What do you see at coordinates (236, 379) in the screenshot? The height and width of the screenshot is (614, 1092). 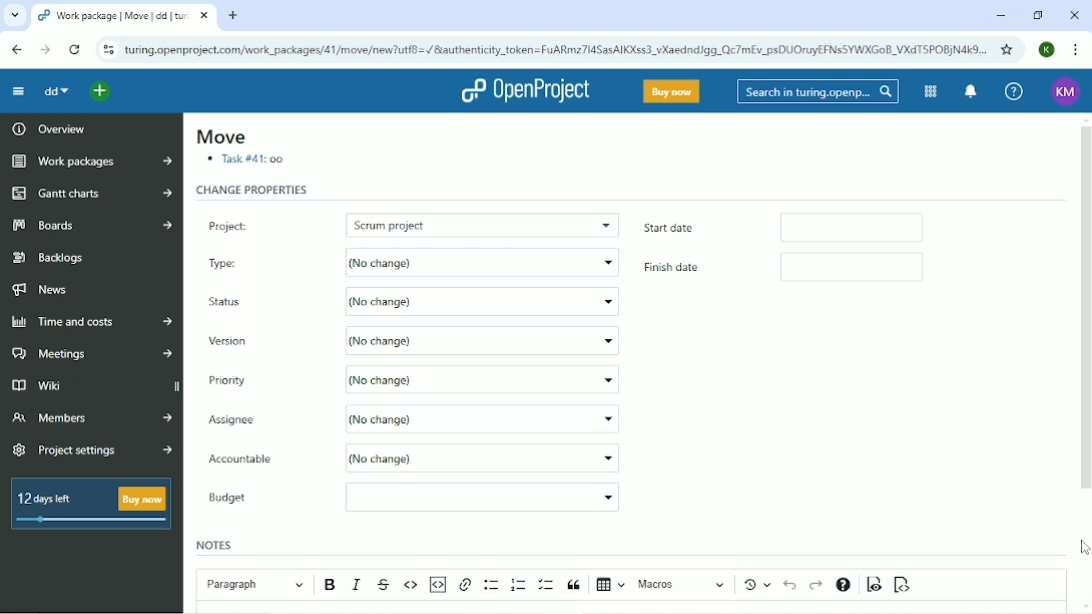 I see `Priority` at bounding box center [236, 379].